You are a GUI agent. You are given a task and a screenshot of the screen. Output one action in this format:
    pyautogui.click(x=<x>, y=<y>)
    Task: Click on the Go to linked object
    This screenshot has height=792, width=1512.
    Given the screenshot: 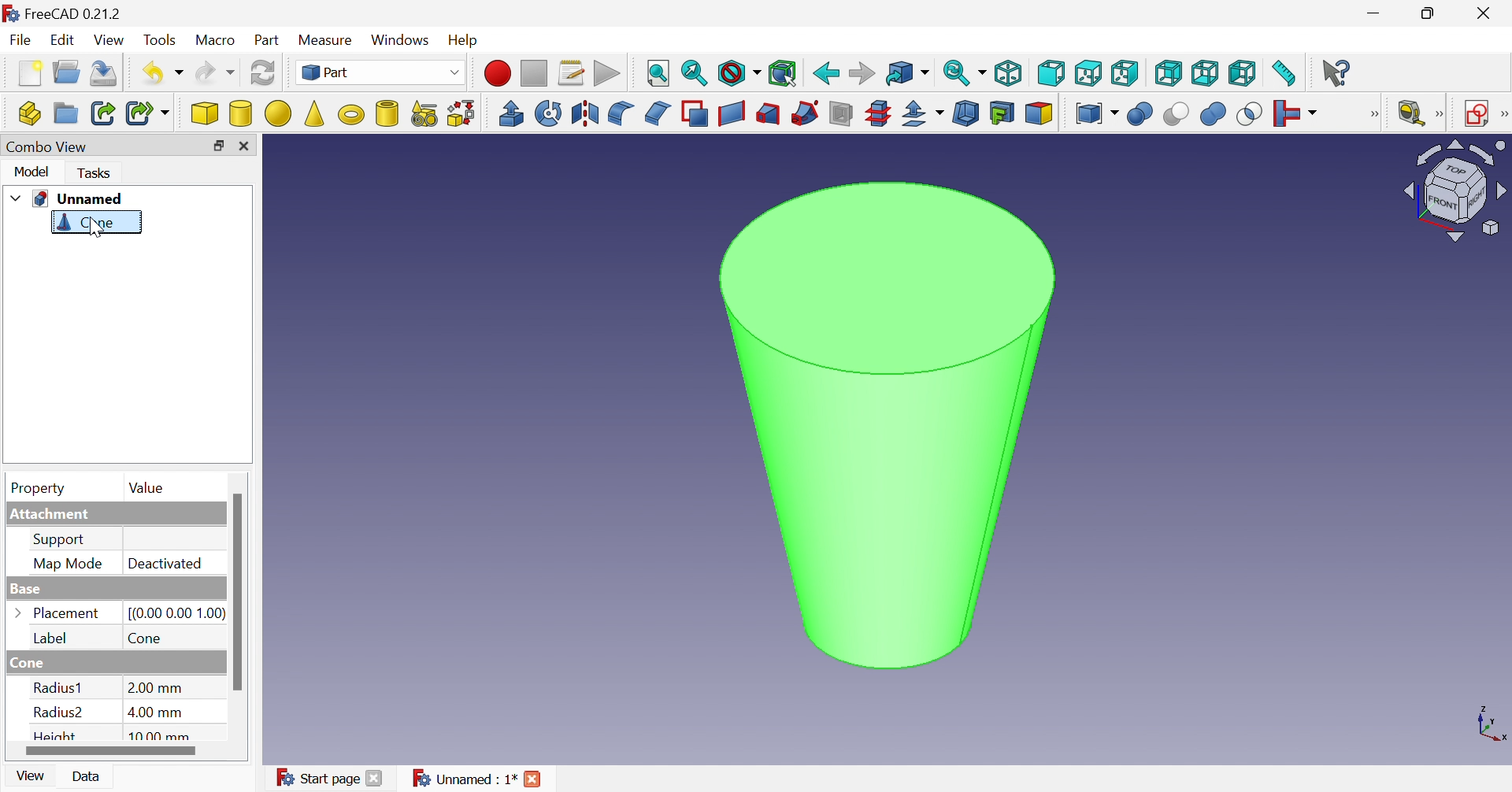 What is the action you would take?
    pyautogui.click(x=908, y=73)
    